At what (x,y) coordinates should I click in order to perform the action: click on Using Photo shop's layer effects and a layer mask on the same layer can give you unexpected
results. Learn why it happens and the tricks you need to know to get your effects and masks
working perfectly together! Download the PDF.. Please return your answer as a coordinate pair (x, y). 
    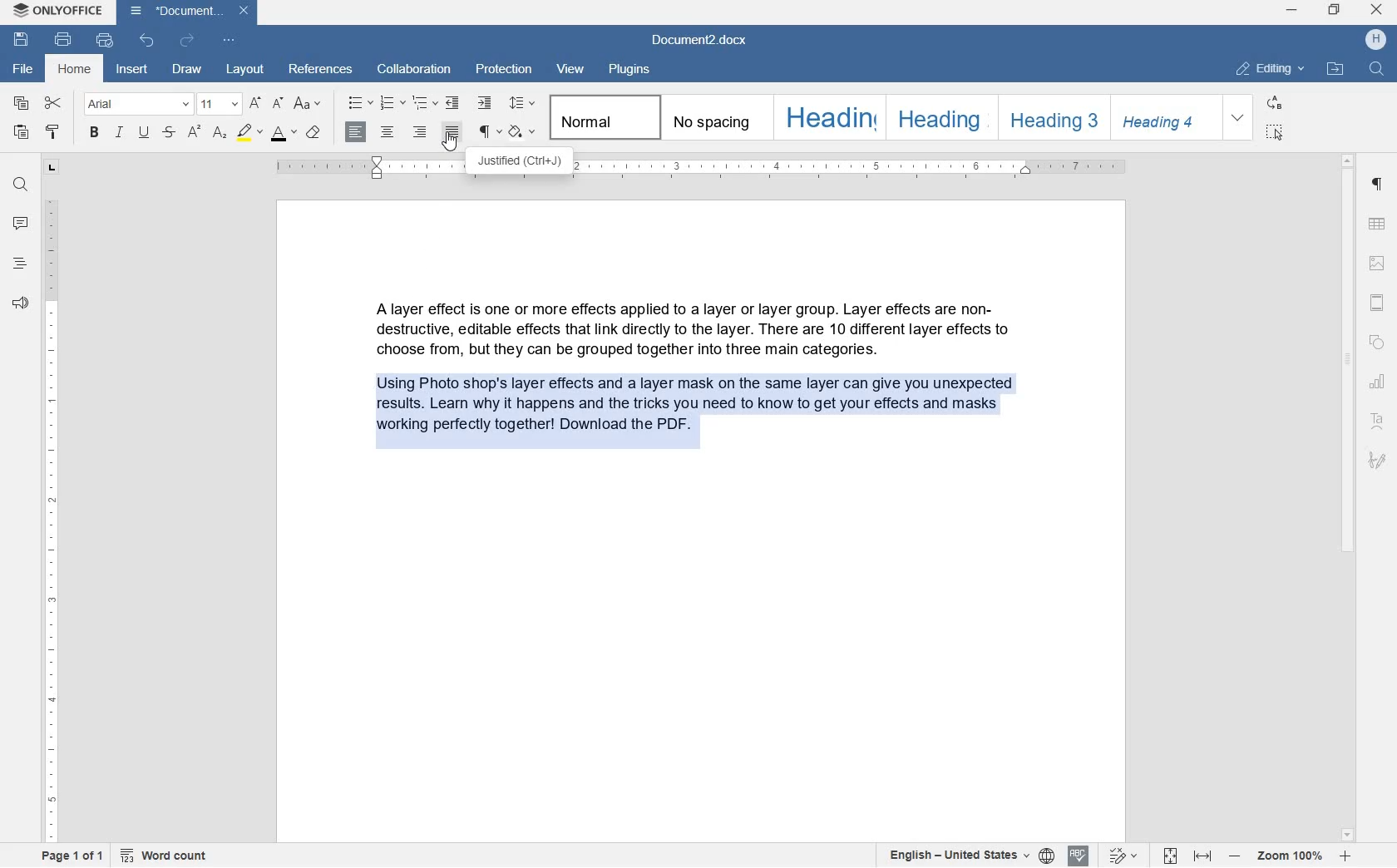
    Looking at the image, I should click on (698, 423).